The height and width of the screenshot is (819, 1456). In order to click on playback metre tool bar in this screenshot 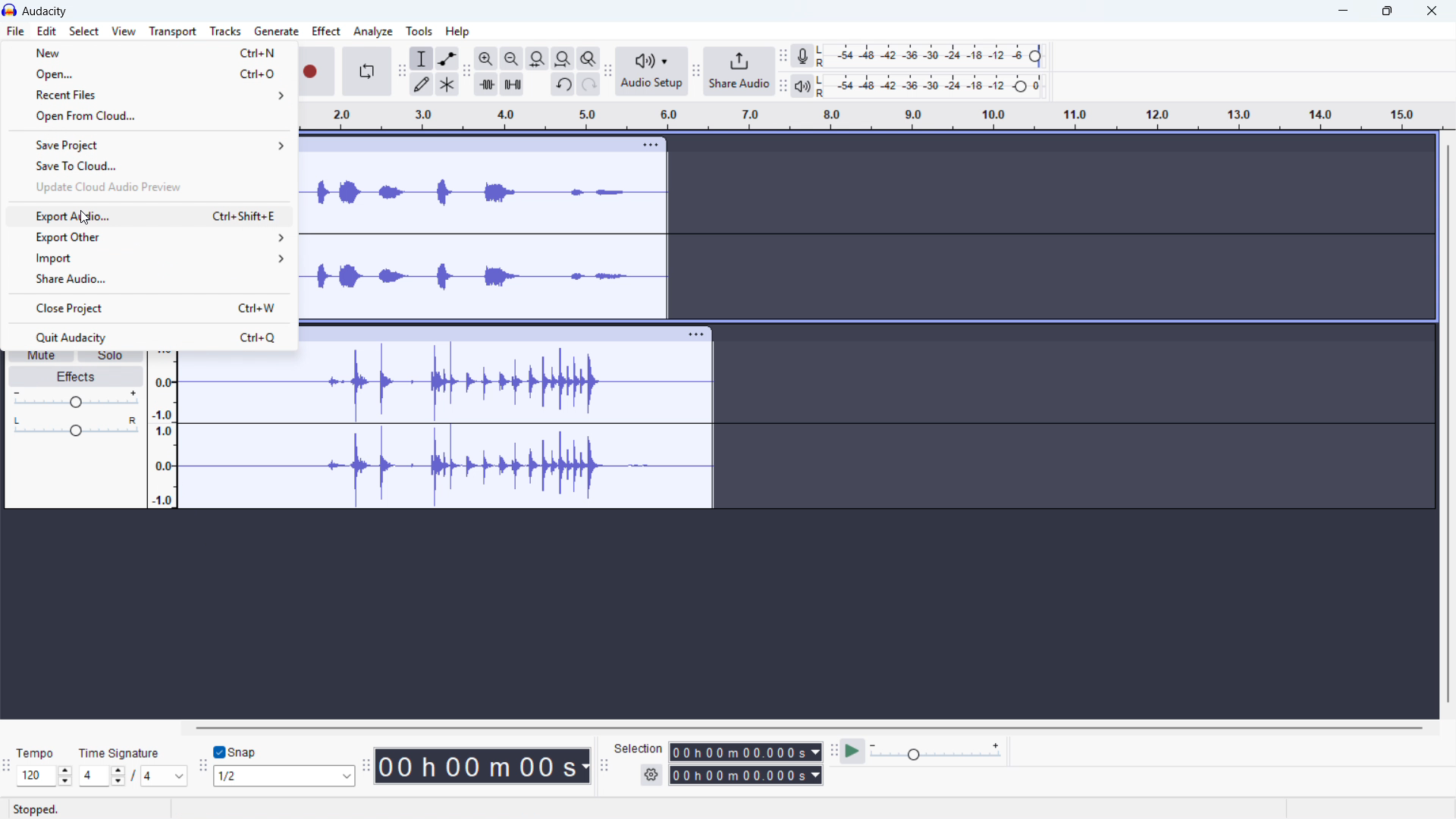, I will do `click(783, 86)`.